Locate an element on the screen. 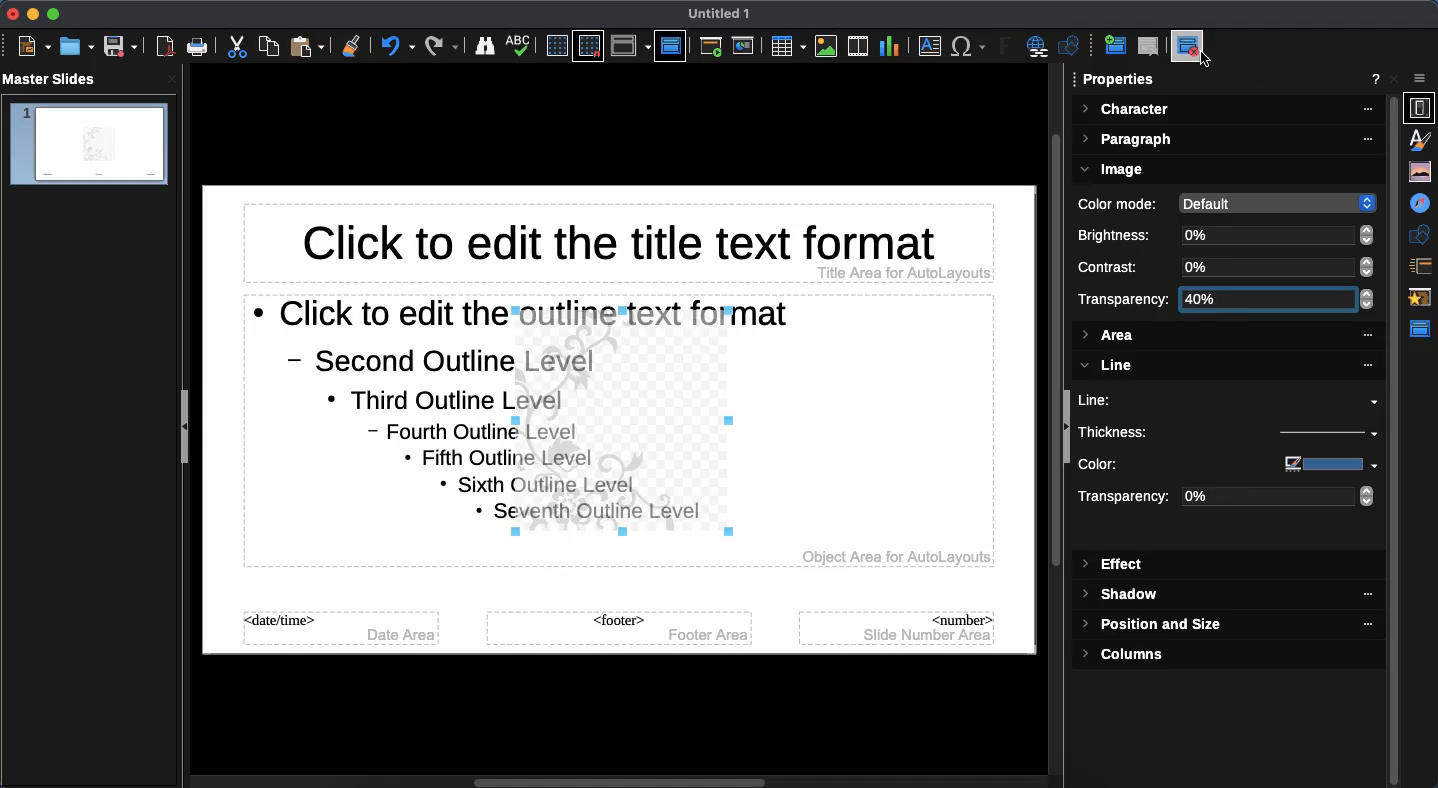  options is located at coordinates (1421, 79).